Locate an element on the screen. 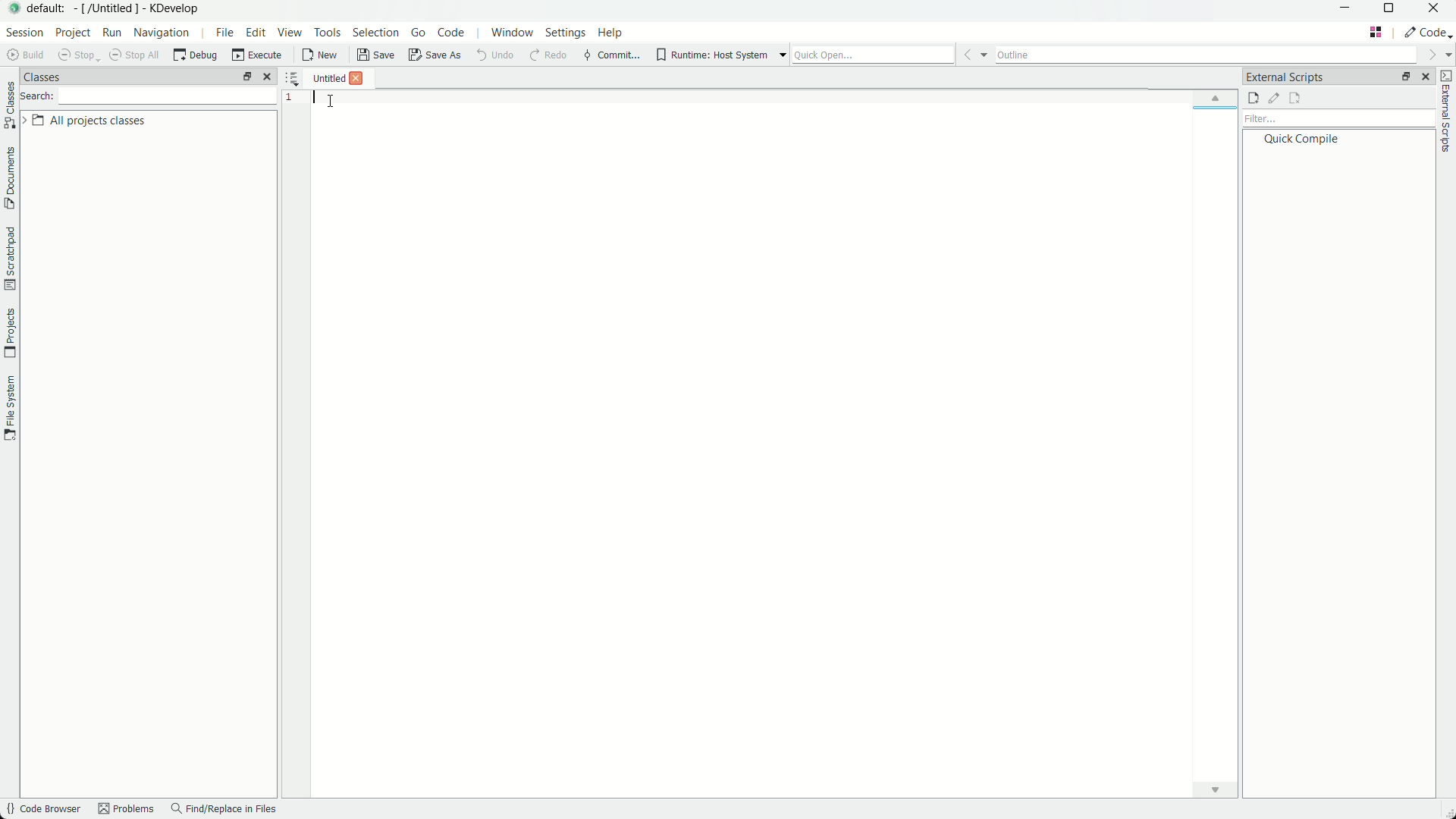  default is located at coordinates (51, 9).